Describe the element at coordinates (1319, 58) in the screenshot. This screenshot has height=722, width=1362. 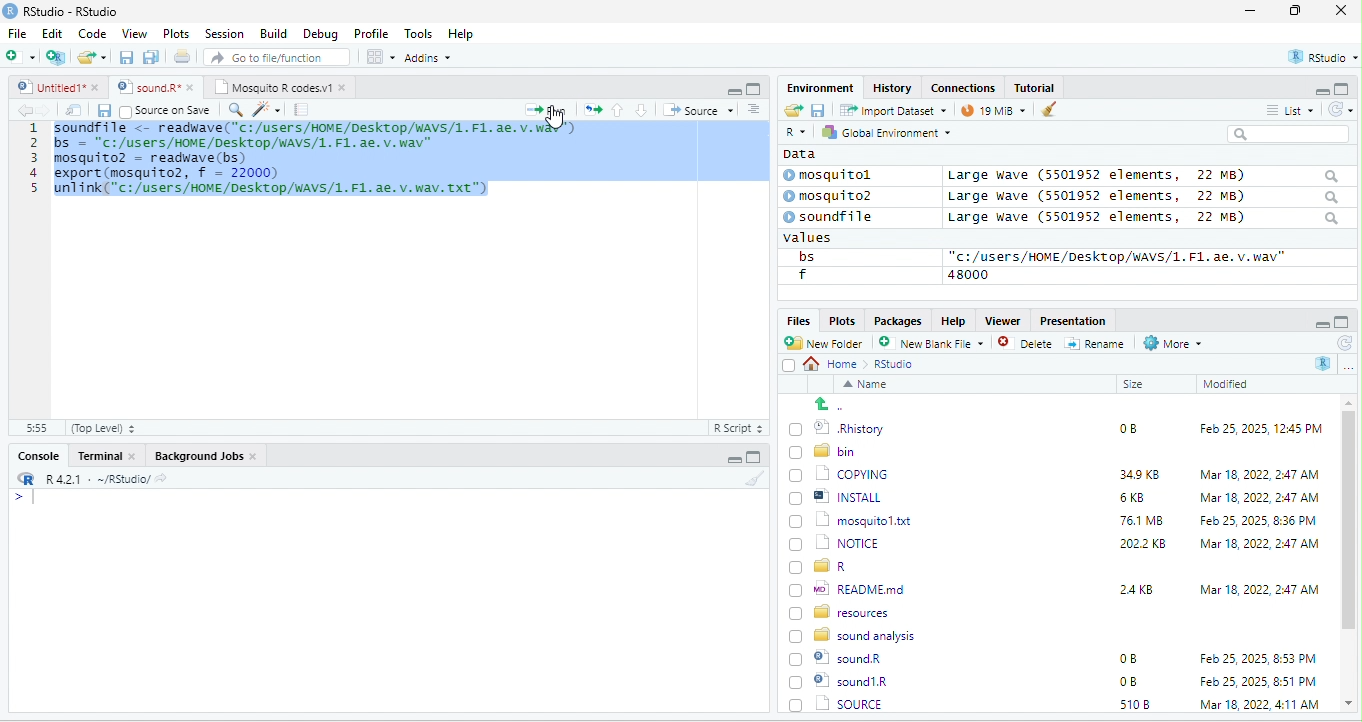
I see `rstudio` at that location.